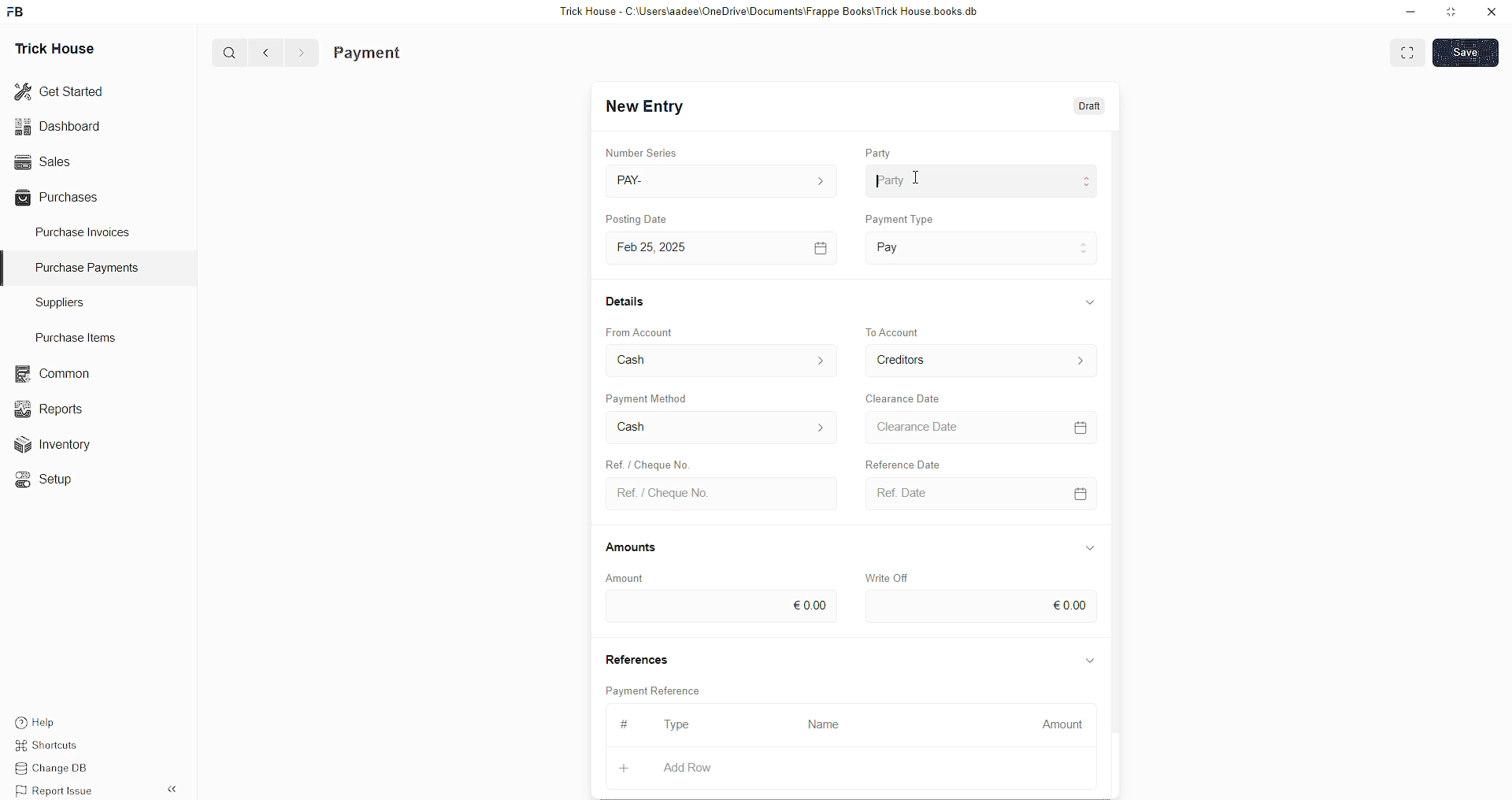  Describe the element at coordinates (821, 247) in the screenshot. I see `[=]` at that location.